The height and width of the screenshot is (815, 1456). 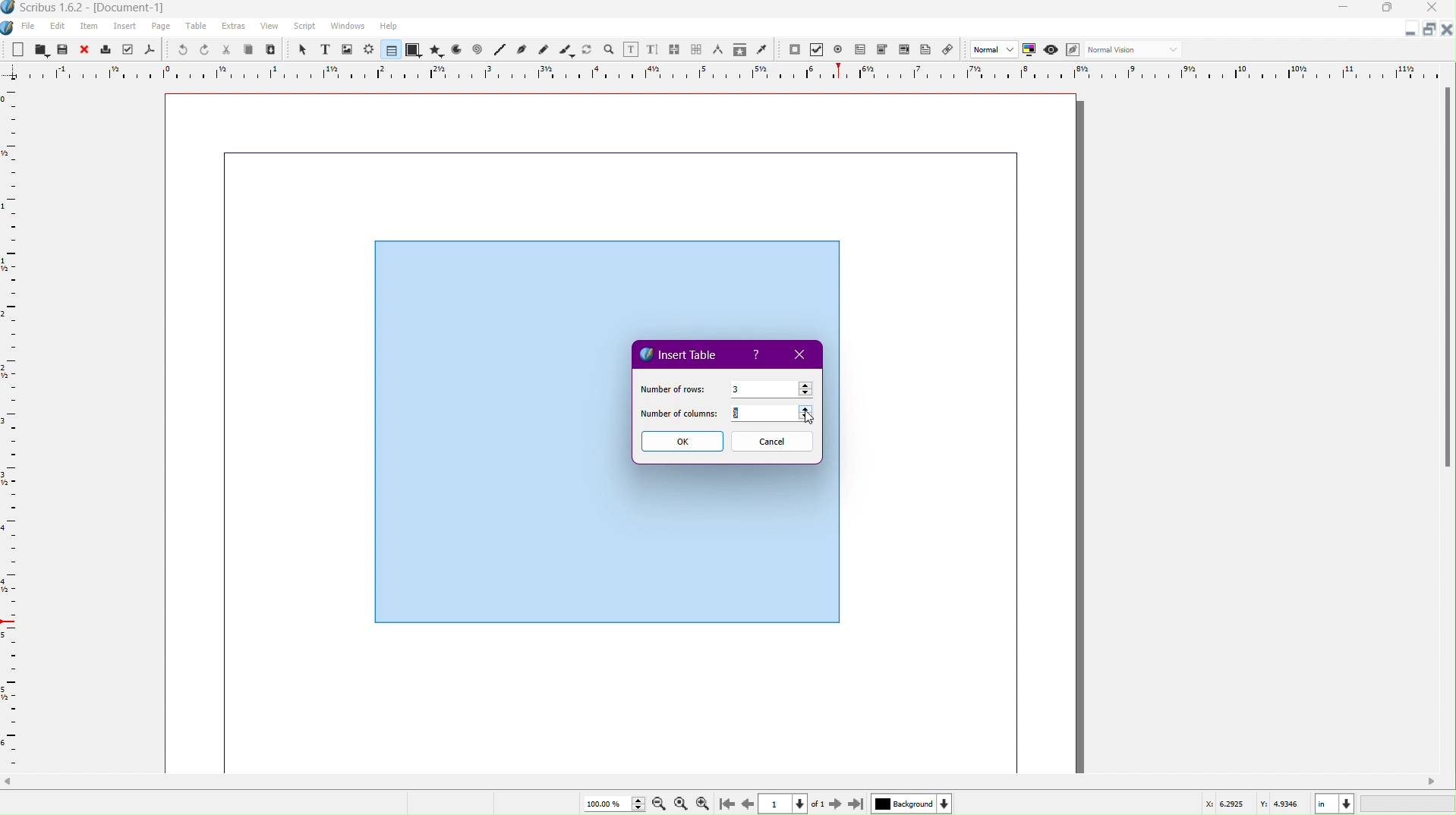 I want to click on Zoom Value, so click(x=611, y=802).